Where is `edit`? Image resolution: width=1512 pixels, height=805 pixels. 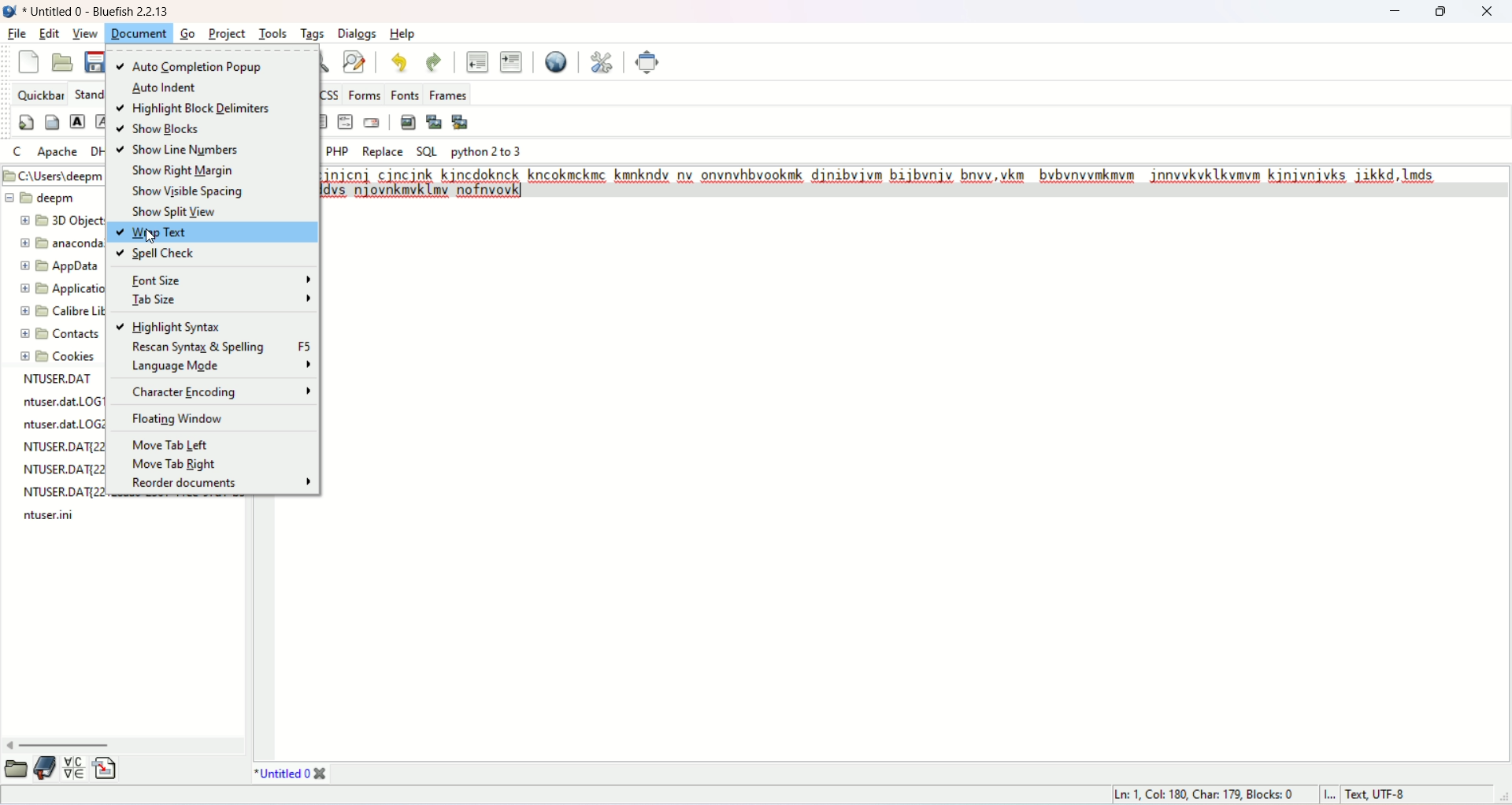
edit is located at coordinates (46, 33).